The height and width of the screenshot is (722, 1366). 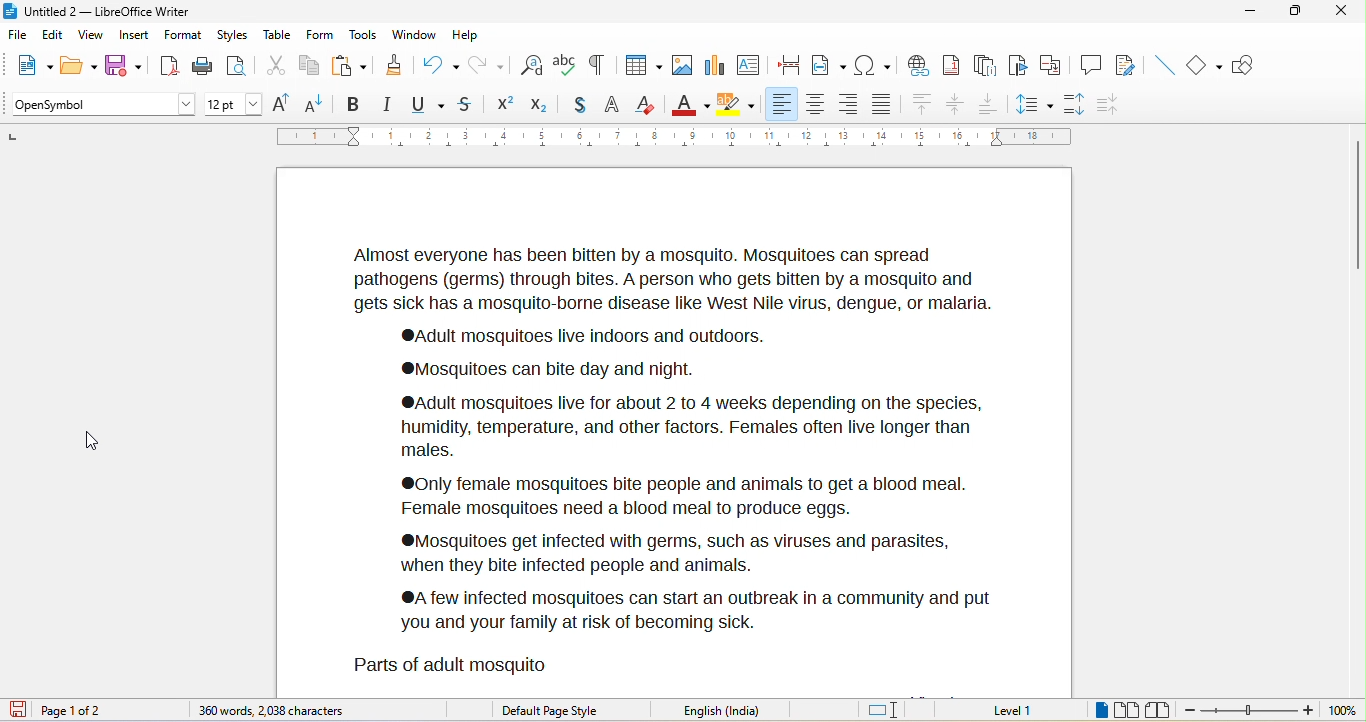 What do you see at coordinates (17, 36) in the screenshot?
I see `file` at bounding box center [17, 36].